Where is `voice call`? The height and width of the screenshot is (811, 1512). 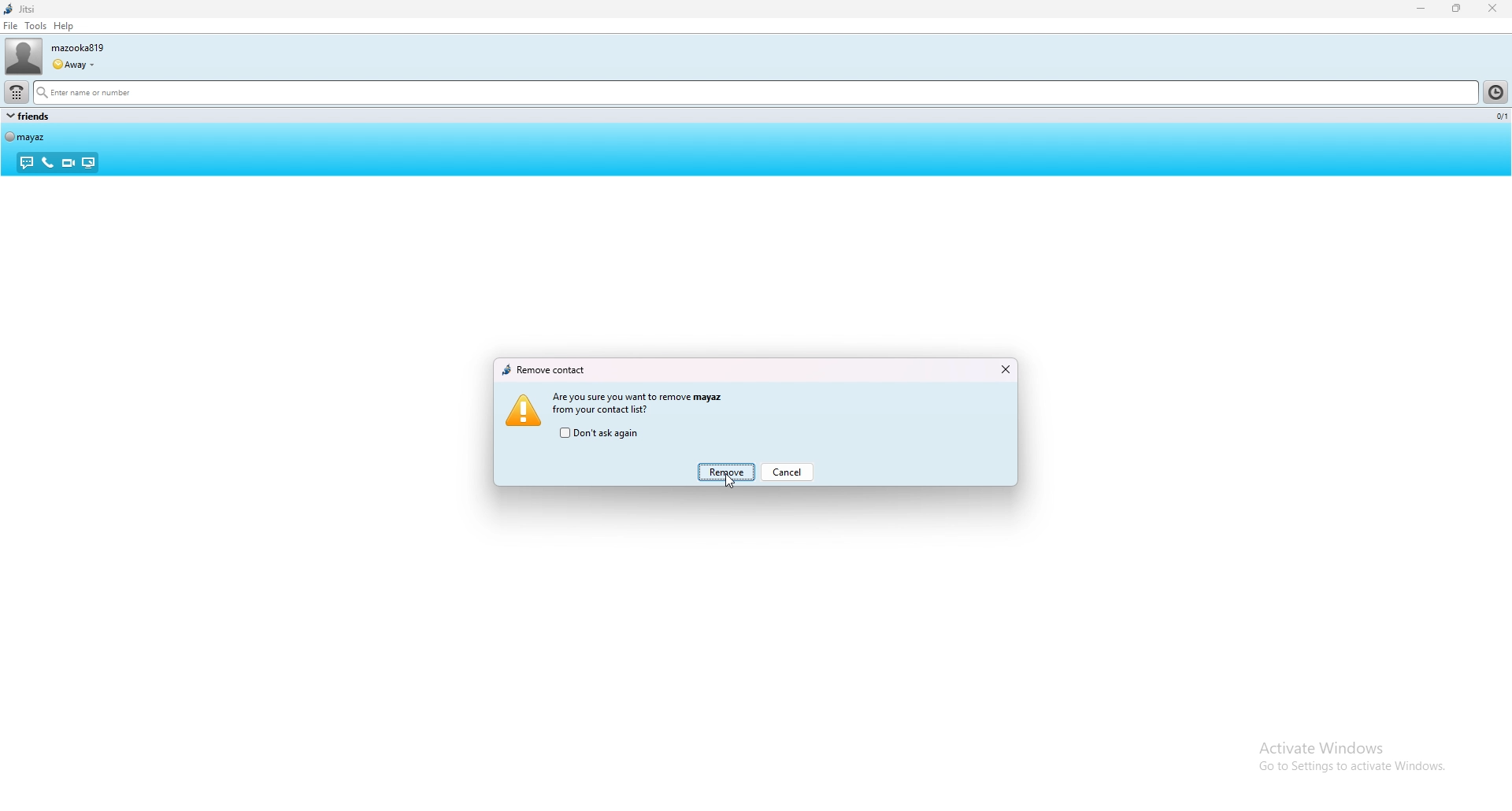 voice call is located at coordinates (48, 162).